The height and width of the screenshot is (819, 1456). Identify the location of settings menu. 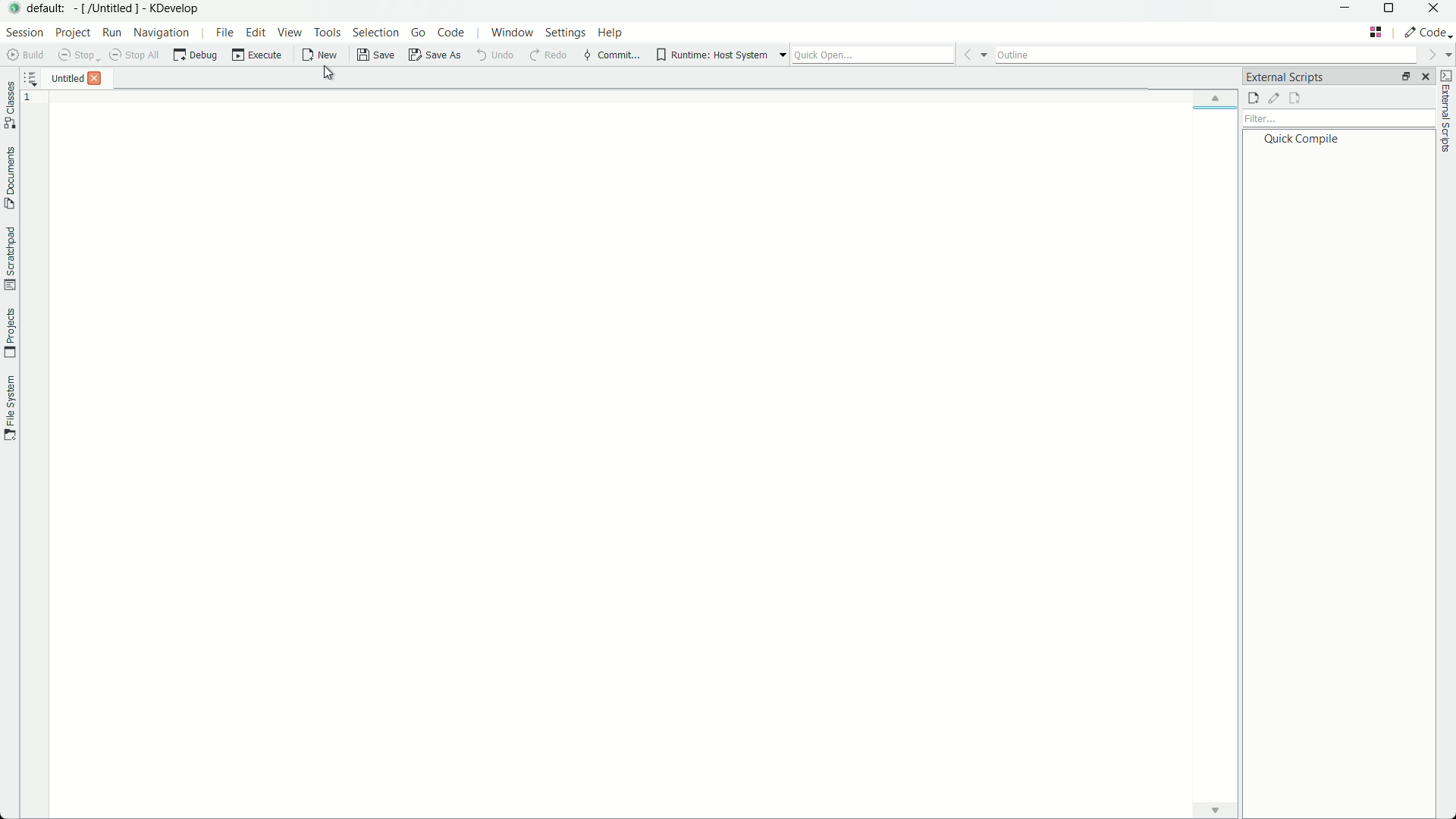
(565, 33).